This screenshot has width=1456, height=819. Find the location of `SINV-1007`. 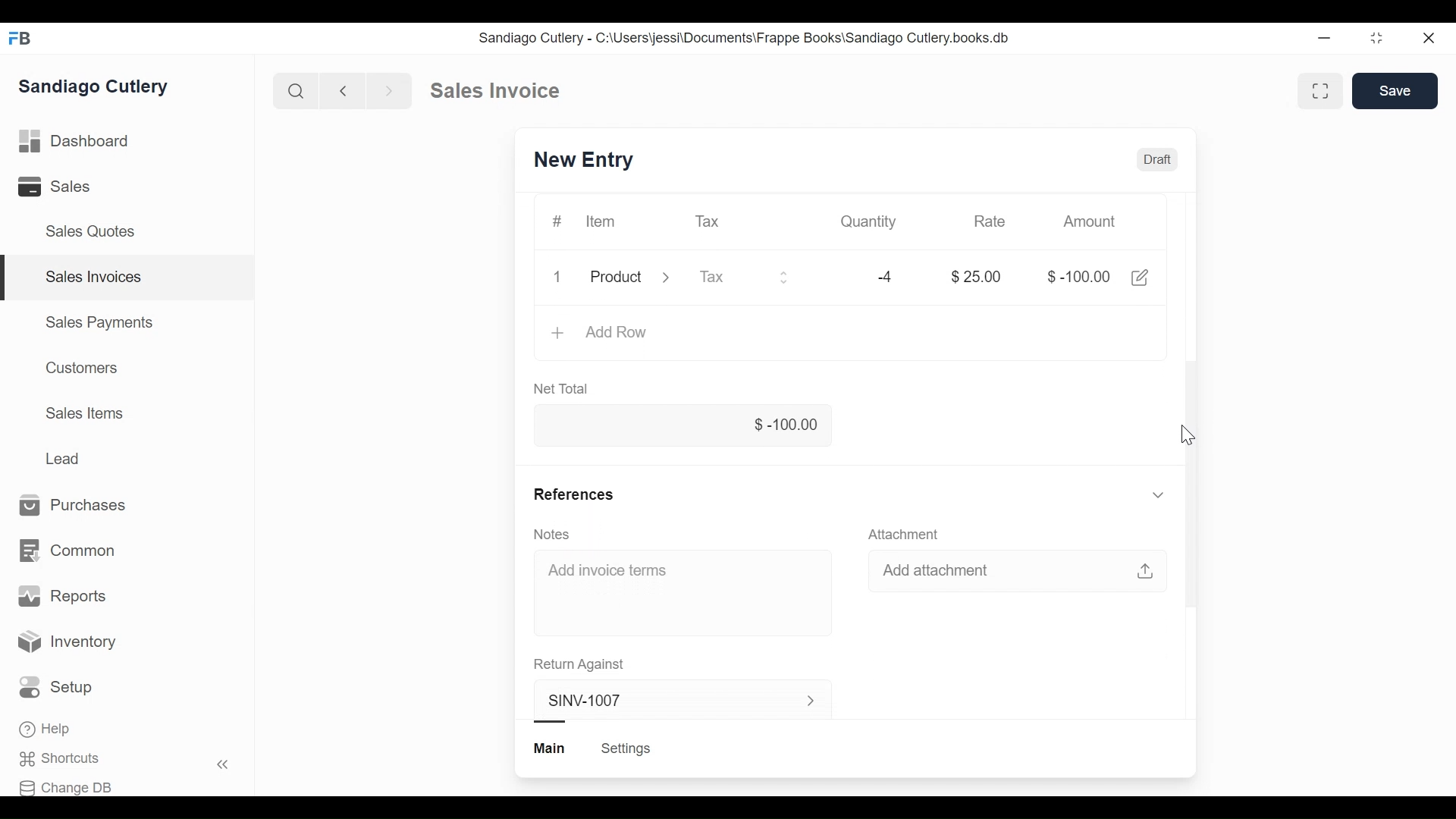

SINV-1007 is located at coordinates (674, 701).